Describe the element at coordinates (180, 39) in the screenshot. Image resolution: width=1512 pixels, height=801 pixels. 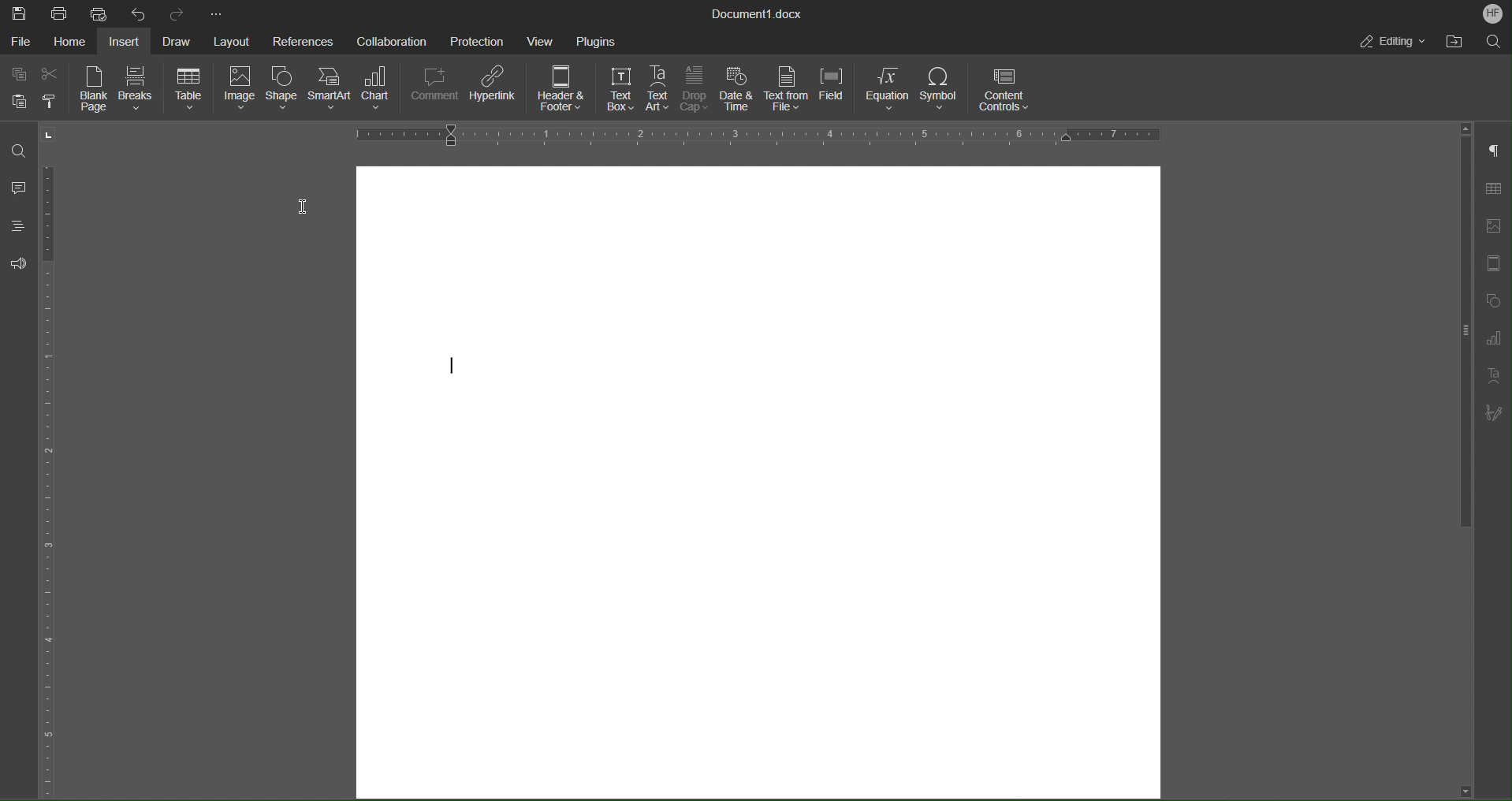
I see `Draw` at that location.